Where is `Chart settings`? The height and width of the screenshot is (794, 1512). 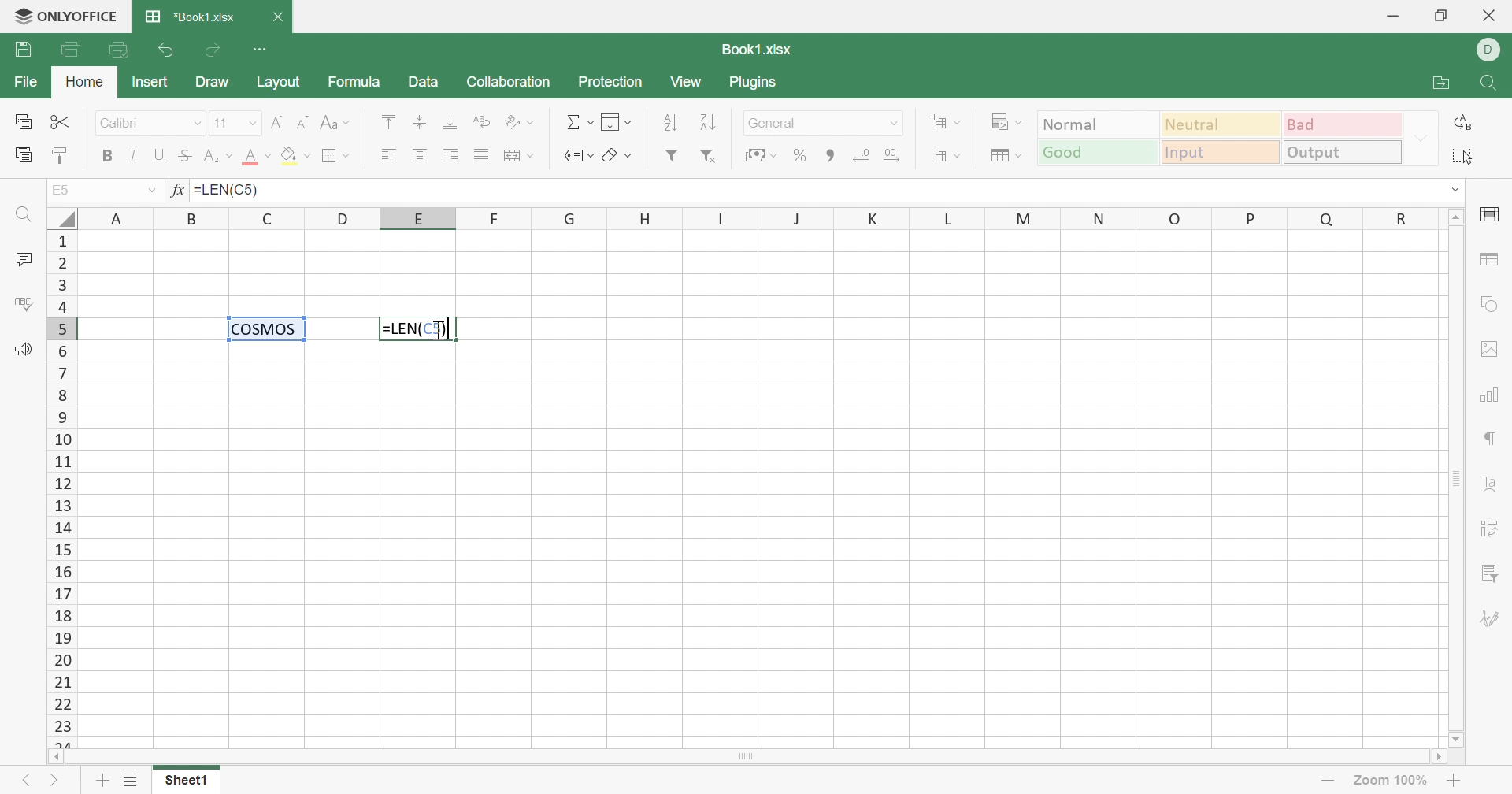
Chart settings is located at coordinates (1487, 397).